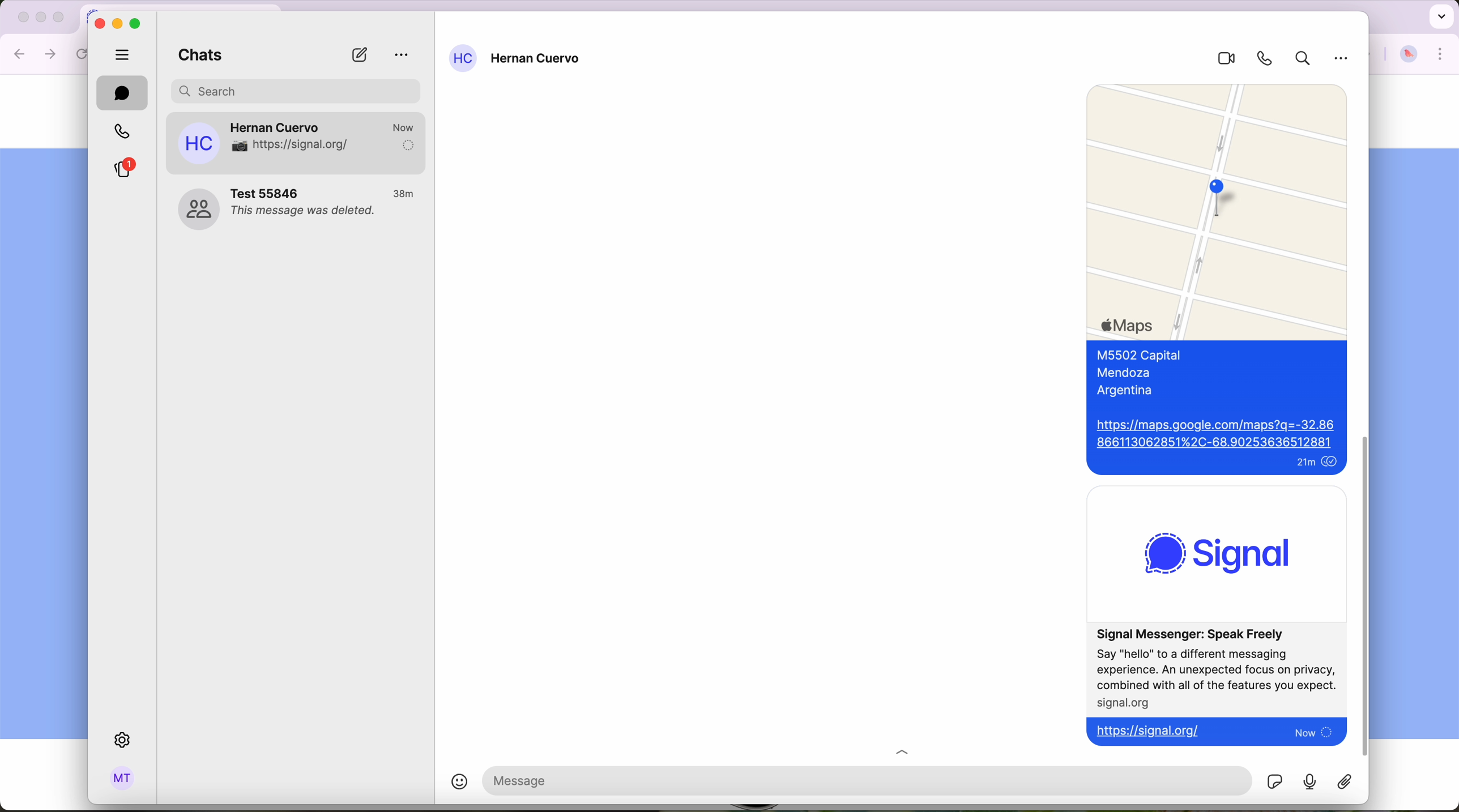 The width and height of the screenshot is (1459, 812). I want to click on profile, so click(123, 780).